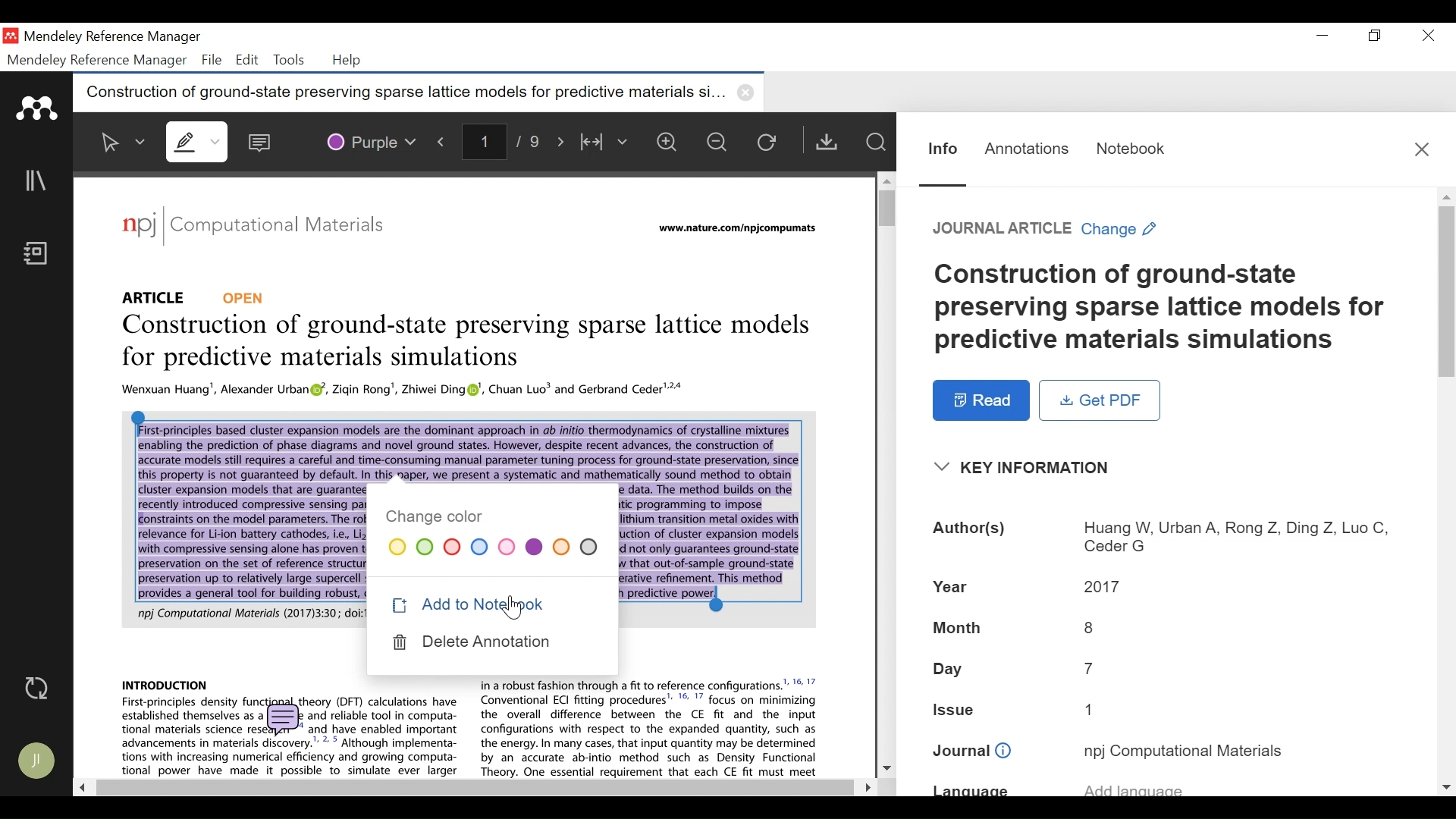  Describe the element at coordinates (494, 547) in the screenshot. I see `Color` at that location.